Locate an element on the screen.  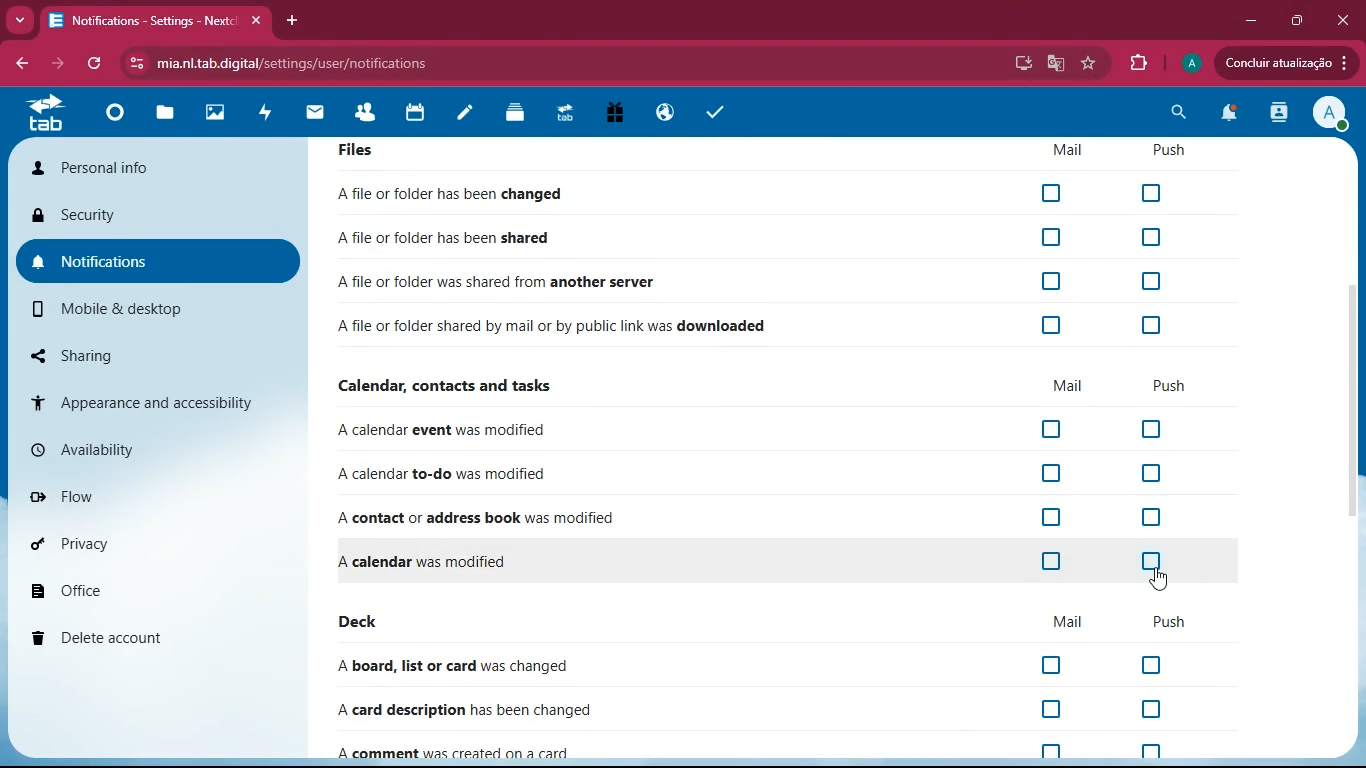
file downloaded is located at coordinates (558, 326).